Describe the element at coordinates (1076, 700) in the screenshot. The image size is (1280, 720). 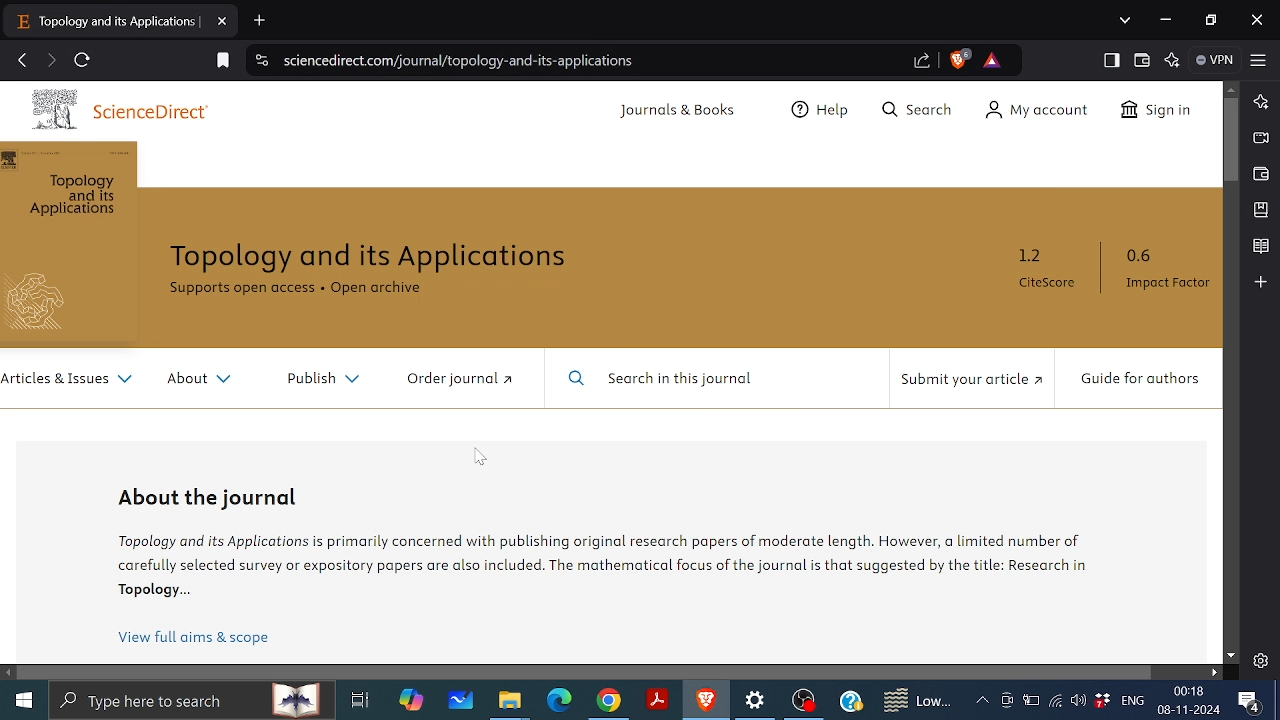
I see `Speakers` at that location.